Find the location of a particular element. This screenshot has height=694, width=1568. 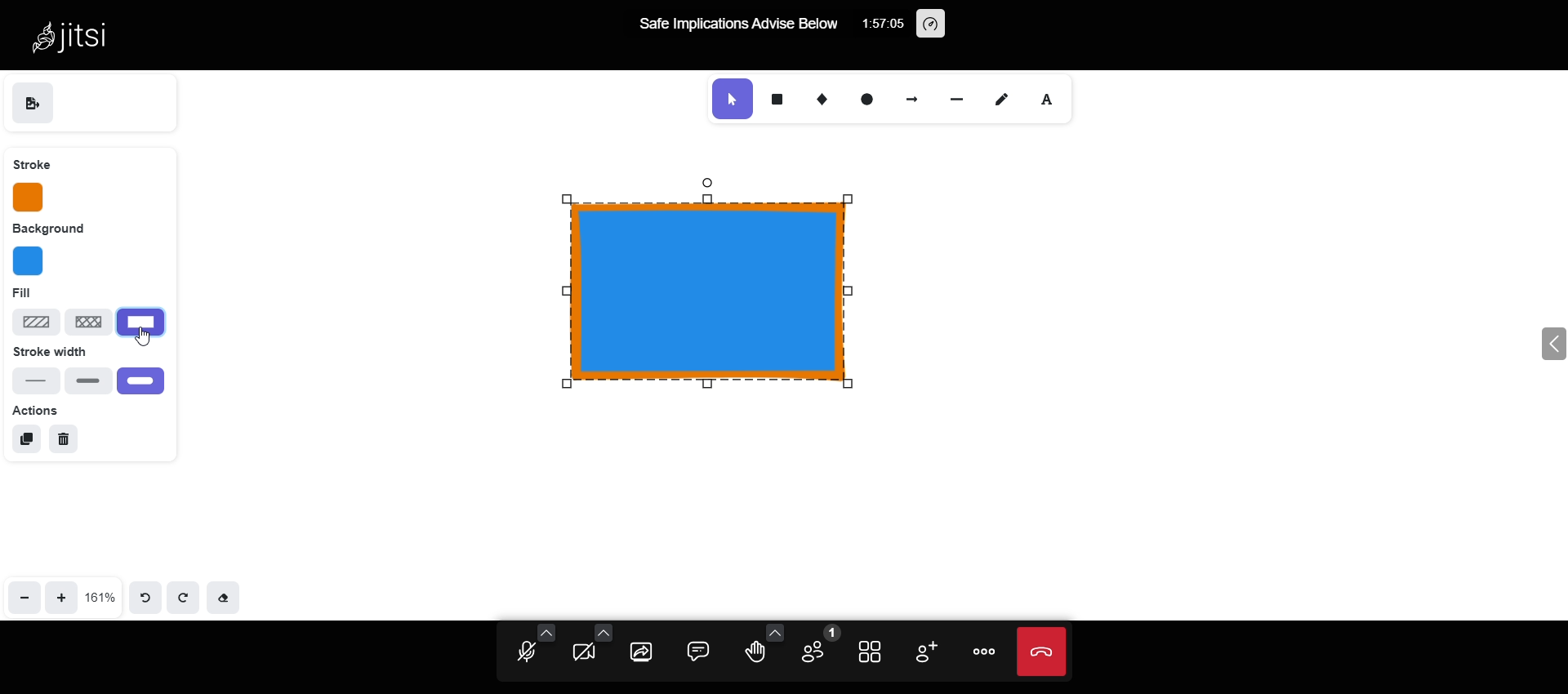

video setting is located at coordinates (596, 628).